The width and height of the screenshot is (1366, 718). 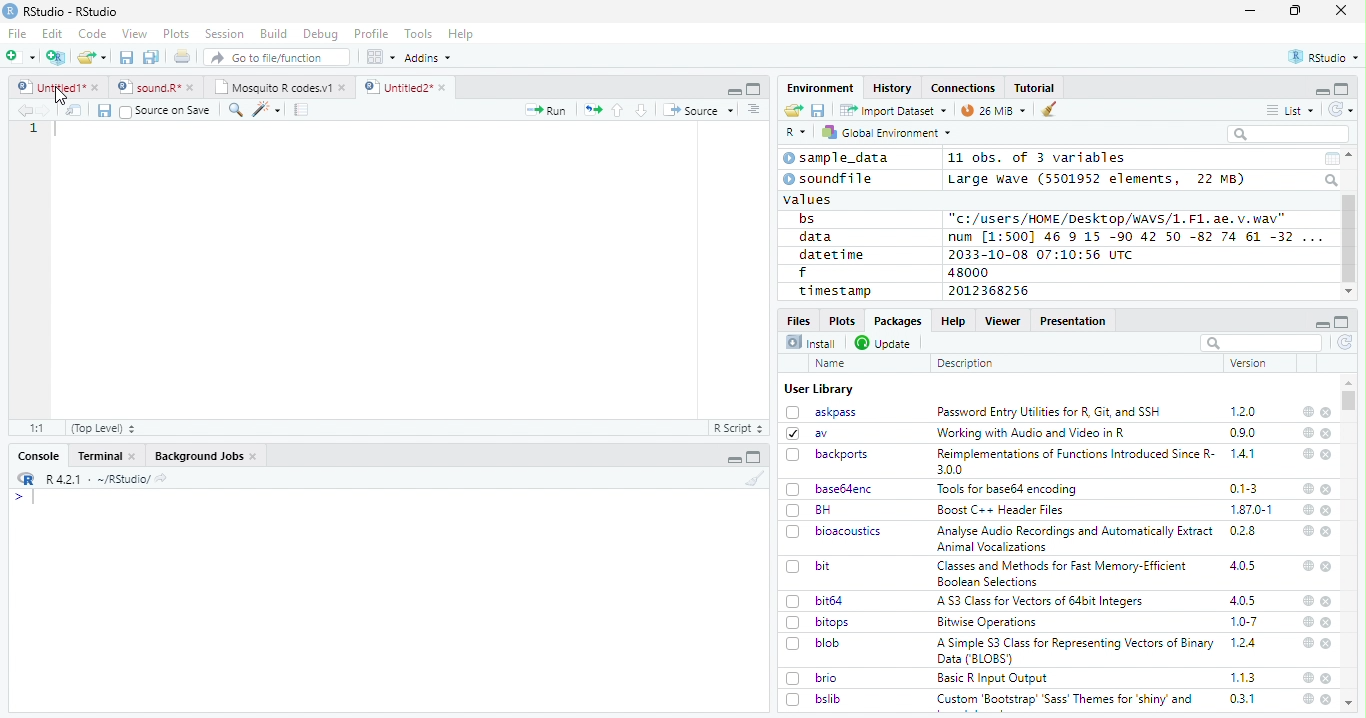 What do you see at coordinates (995, 678) in the screenshot?
I see `Basic R Input Output` at bounding box center [995, 678].